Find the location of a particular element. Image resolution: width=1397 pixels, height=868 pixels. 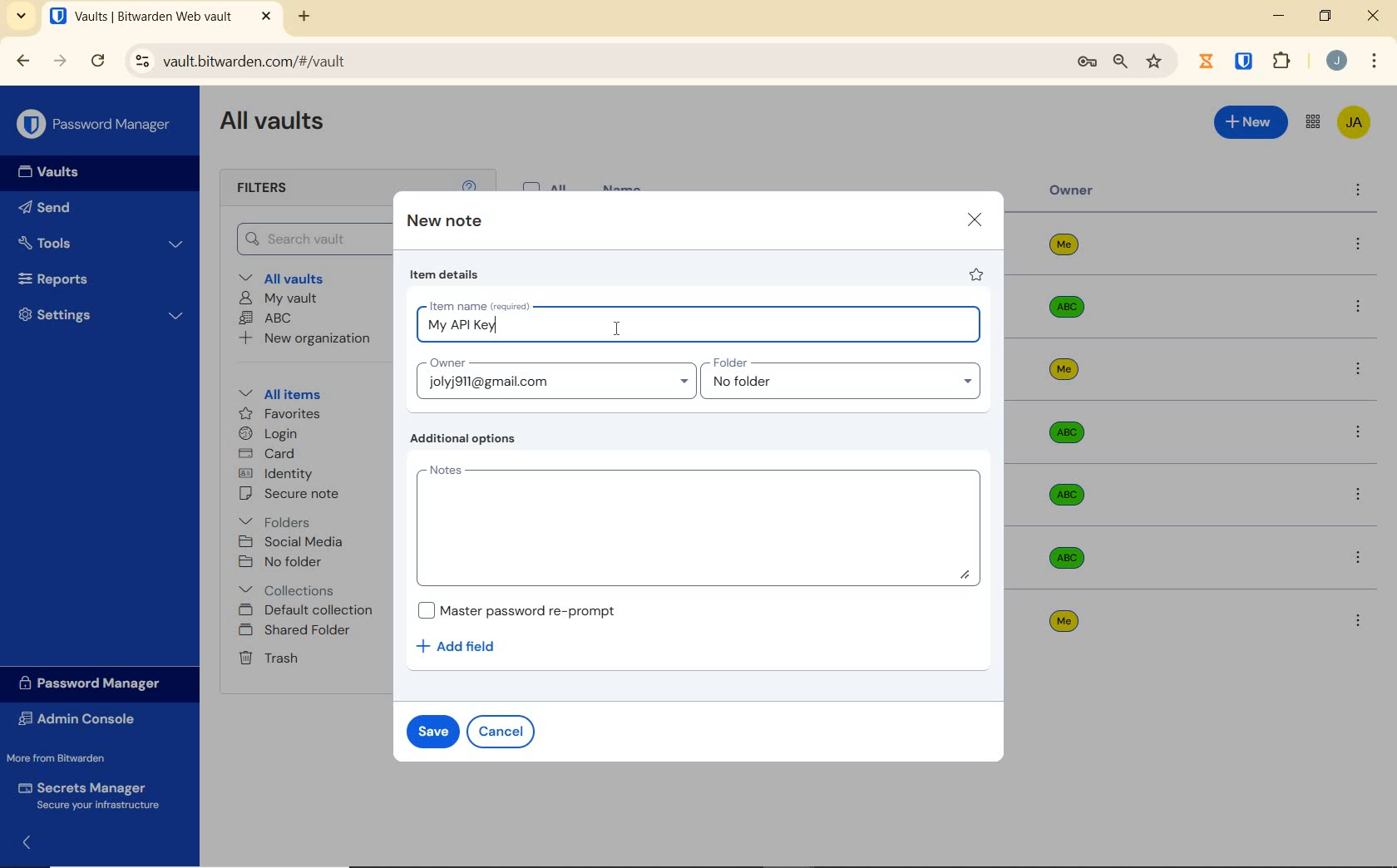

search tabs is located at coordinates (22, 16).